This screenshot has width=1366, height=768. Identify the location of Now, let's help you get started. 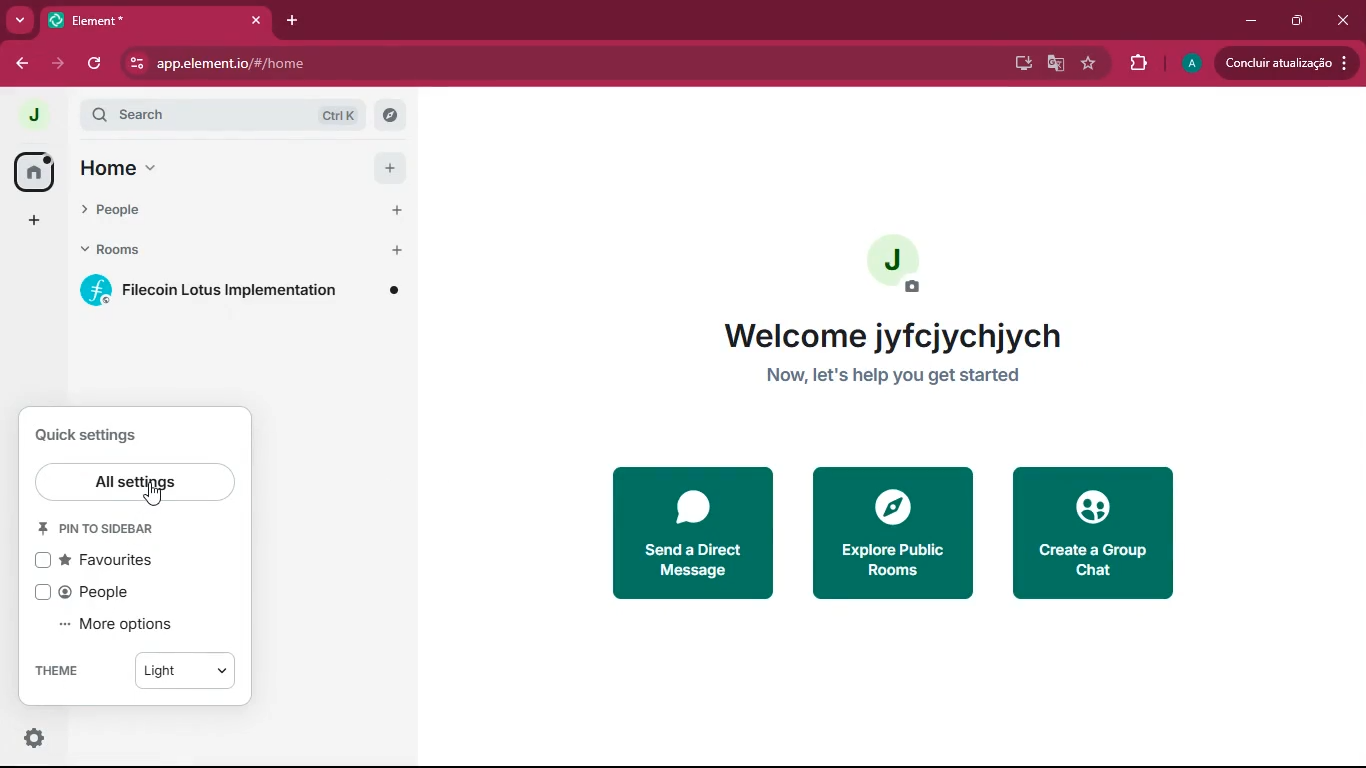
(892, 378).